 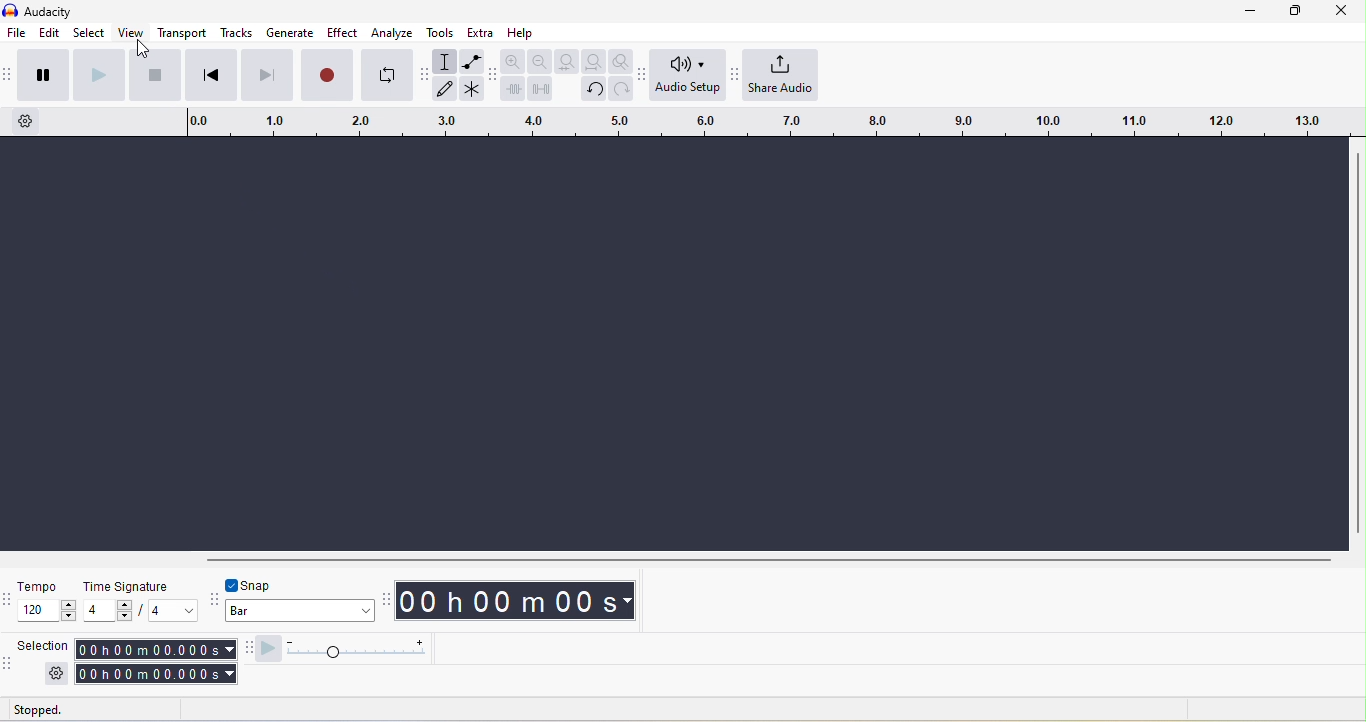 What do you see at coordinates (595, 61) in the screenshot?
I see `fit project to width` at bounding box center [595, 61].